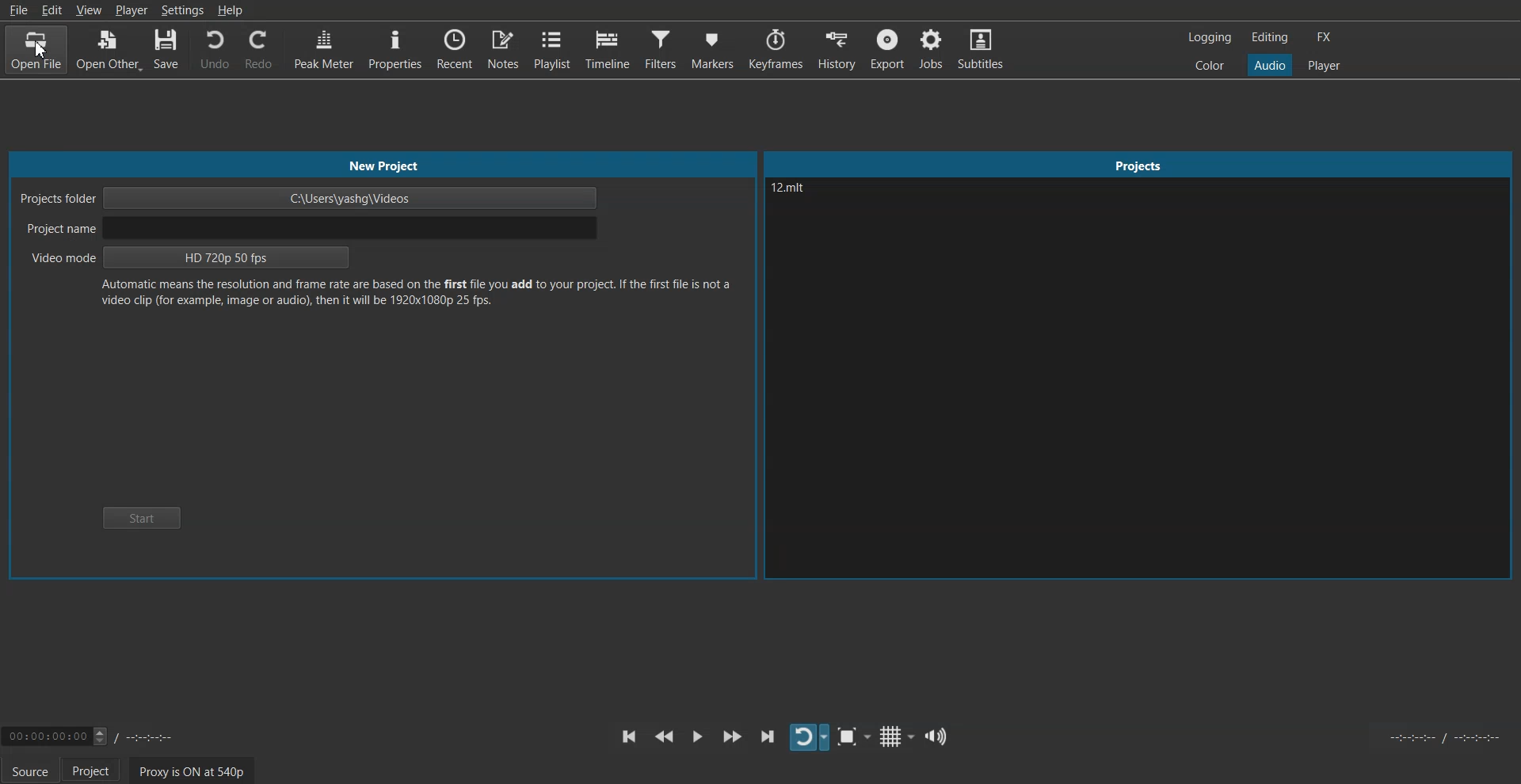 The width and height of the screenshot is (1521, 784). What do you see at coordinates (932, 49) in the screenshot?
I see `Jobs` at bounding box center [932, 49].